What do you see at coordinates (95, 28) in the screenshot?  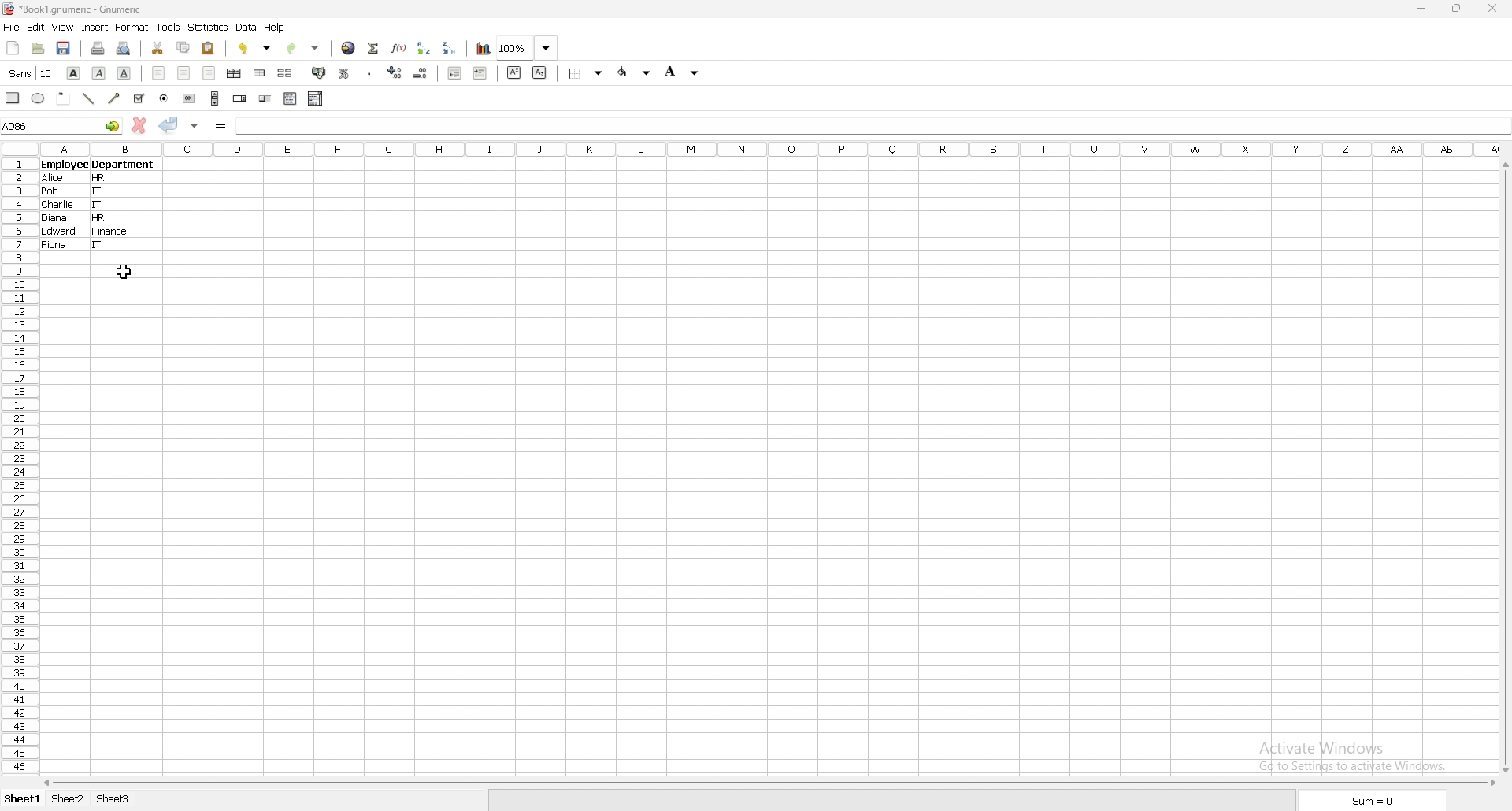 I see `insert` at bounding box center [95, 28].